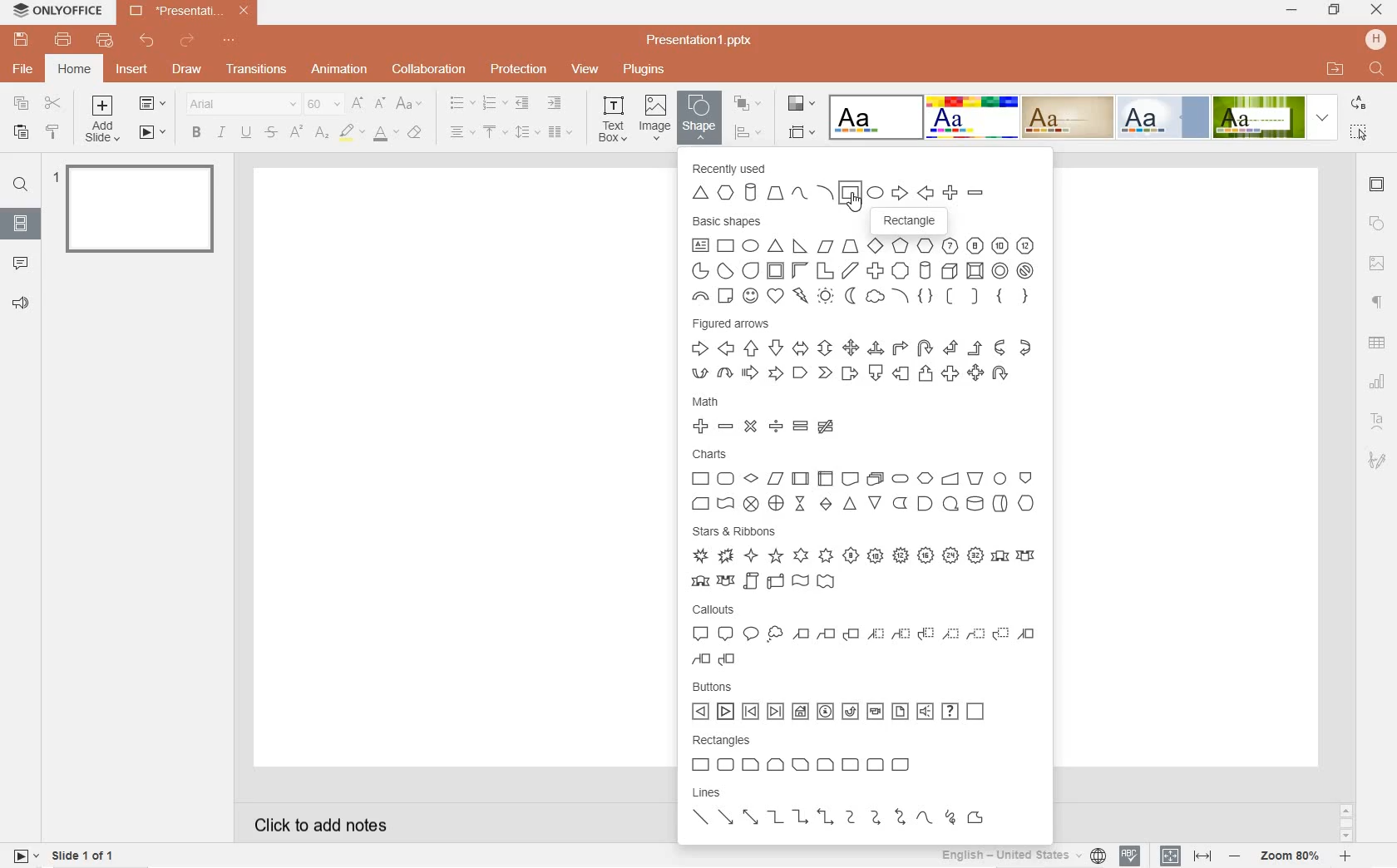 The height and width of the screenshot is (868, 1397). What do you see at coordinates (701, 633) in the screenshot?
I see `Rectangle Callout` at bounding box center [701, 633].